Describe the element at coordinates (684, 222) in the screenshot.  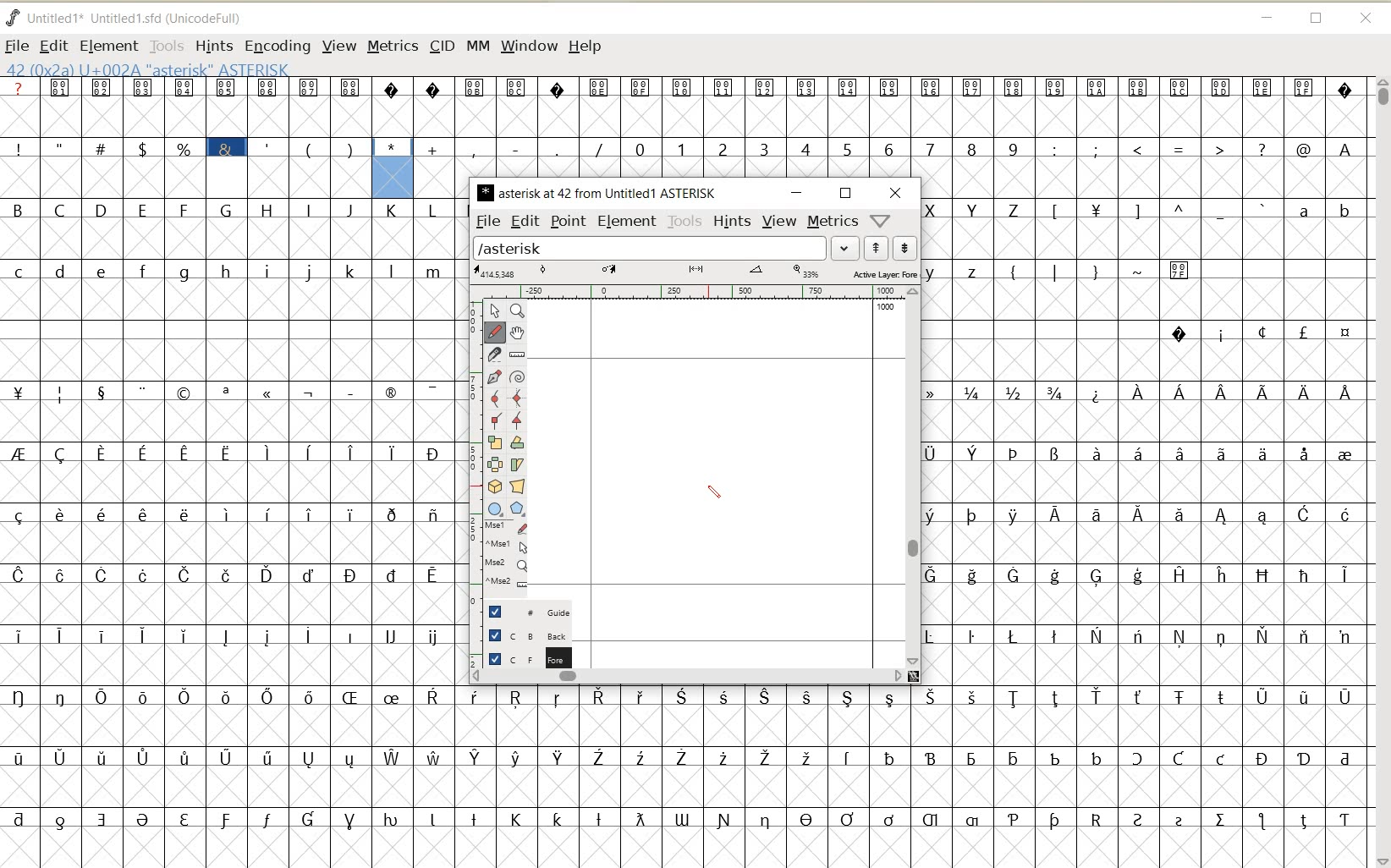
I see `TOOLS` at that location.